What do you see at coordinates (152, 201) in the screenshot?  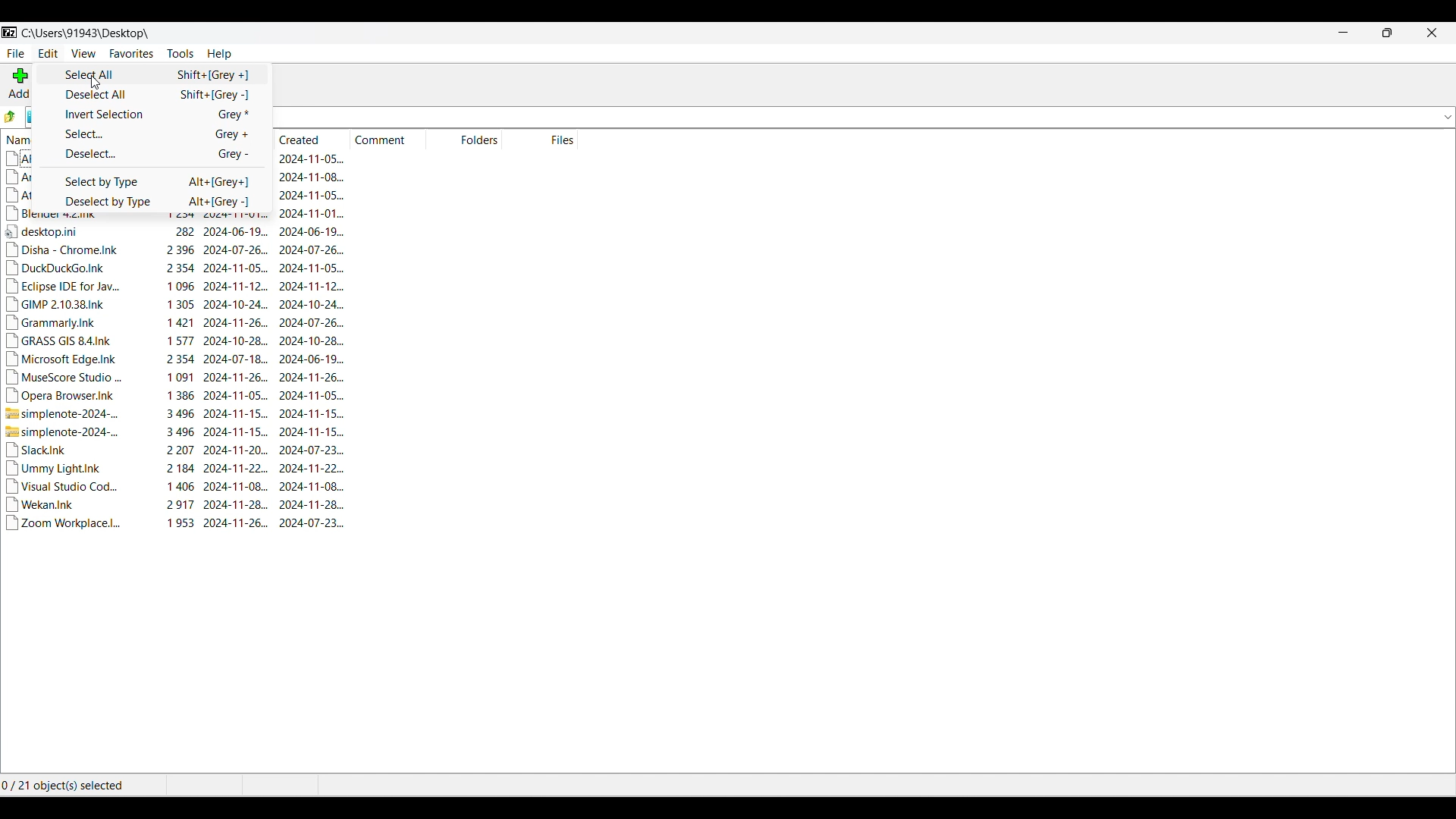 I see `Deselect by Type` at bounding box center [152, 201].